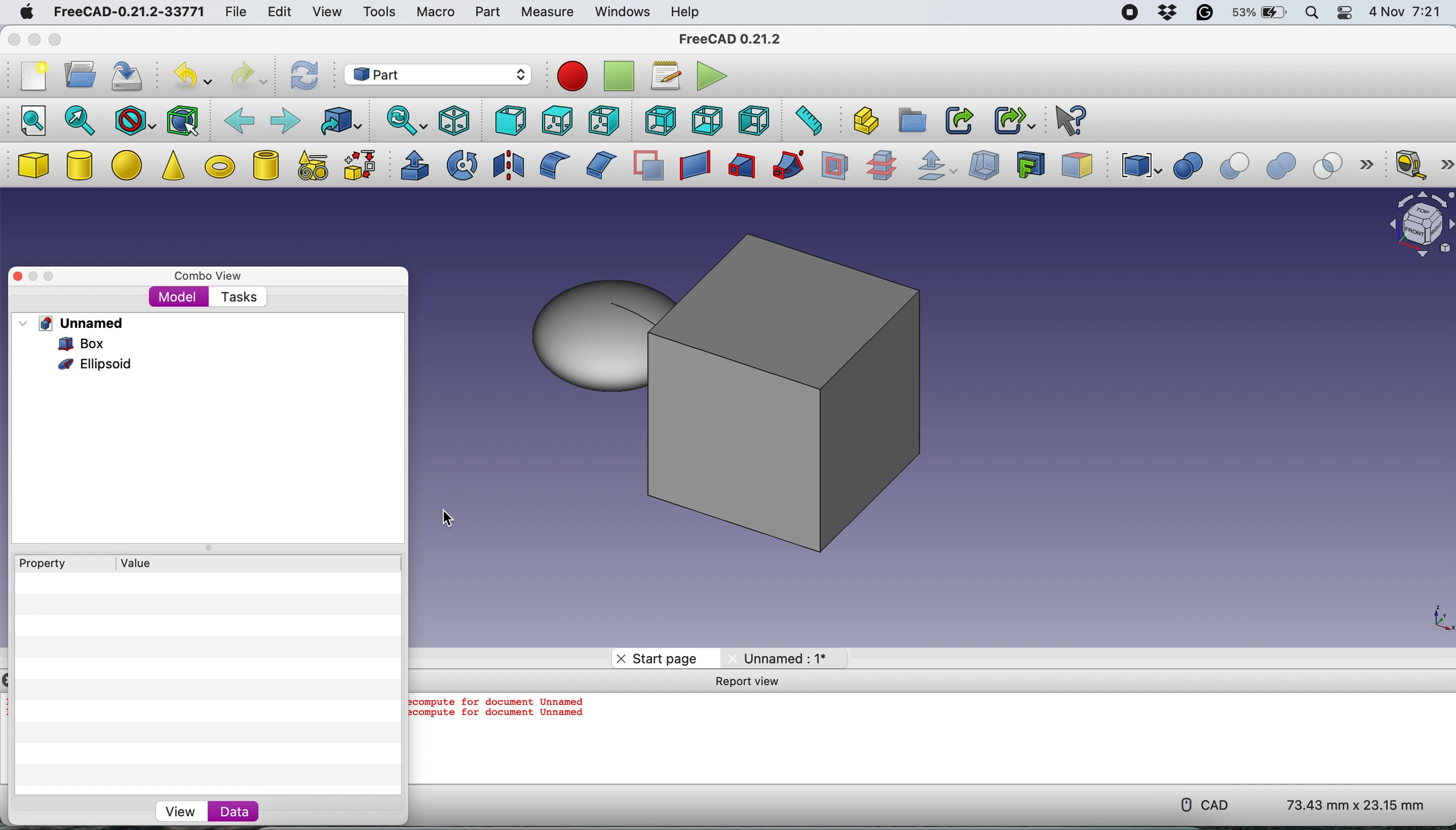  I want to click on torus, so click(219, 166).